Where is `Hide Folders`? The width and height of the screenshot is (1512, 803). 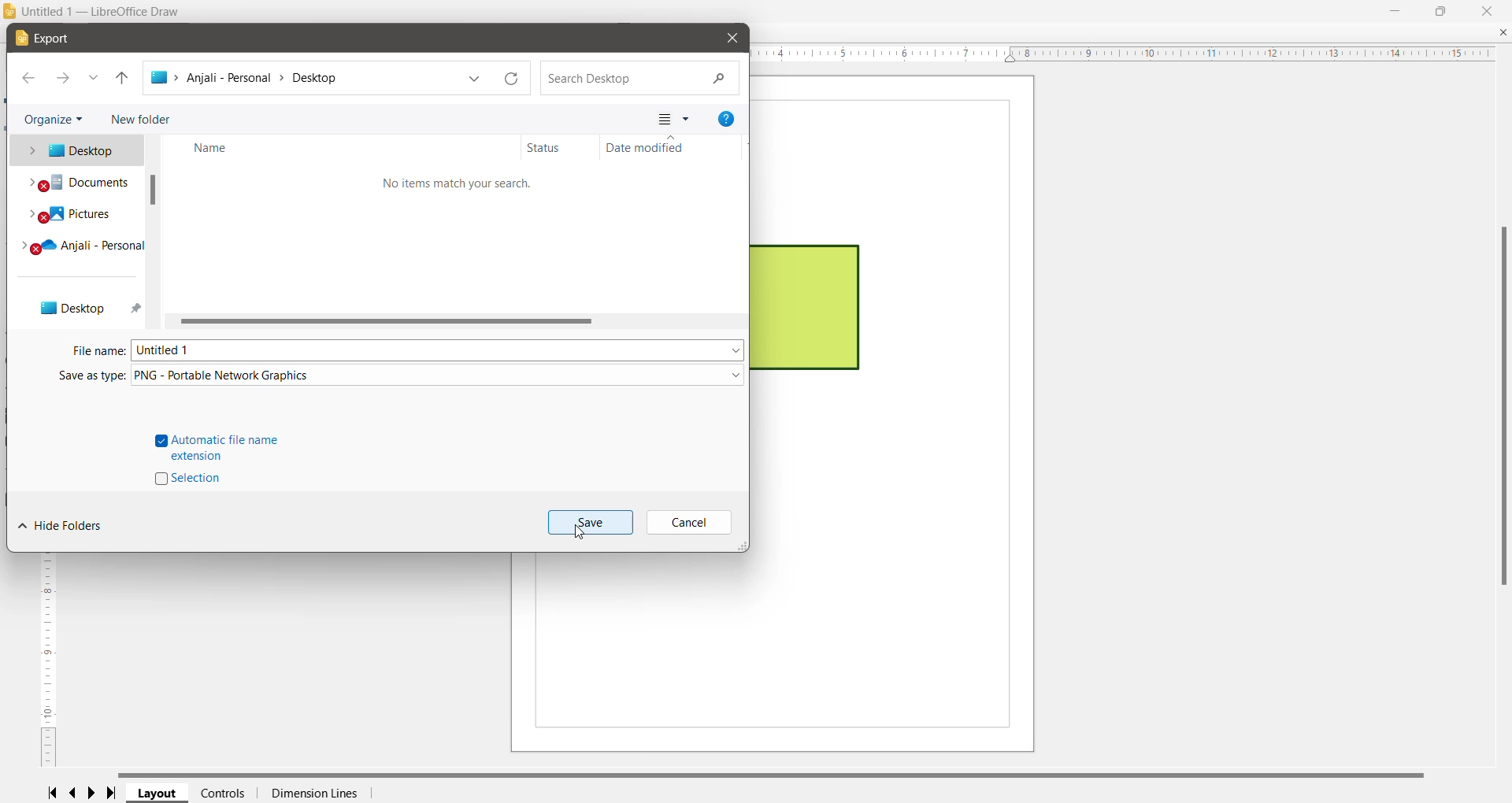 Hide Folders is located at coordinates (60, 526).